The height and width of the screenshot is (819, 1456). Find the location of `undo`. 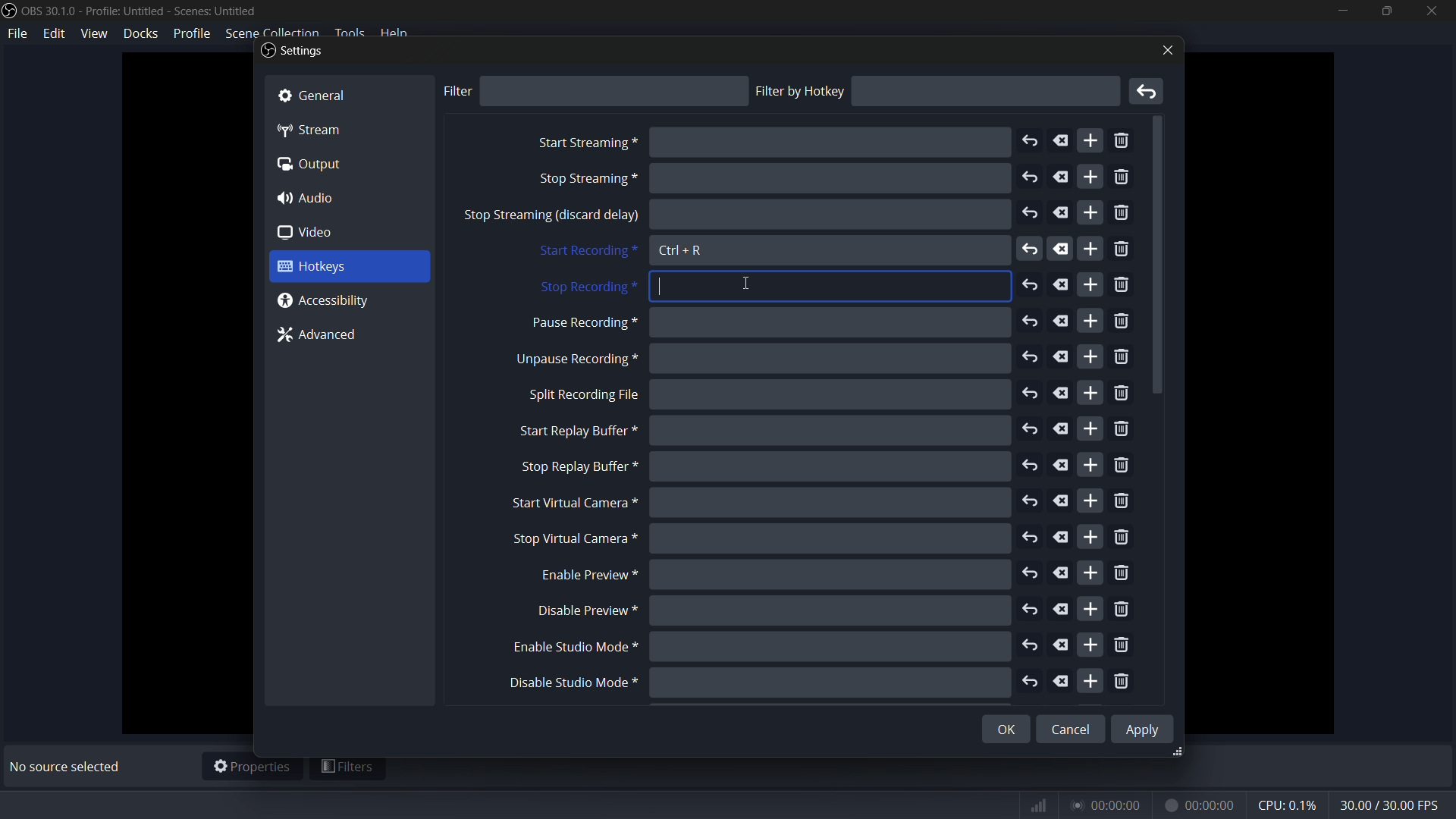

undo is located at coordinates (1031, 285).